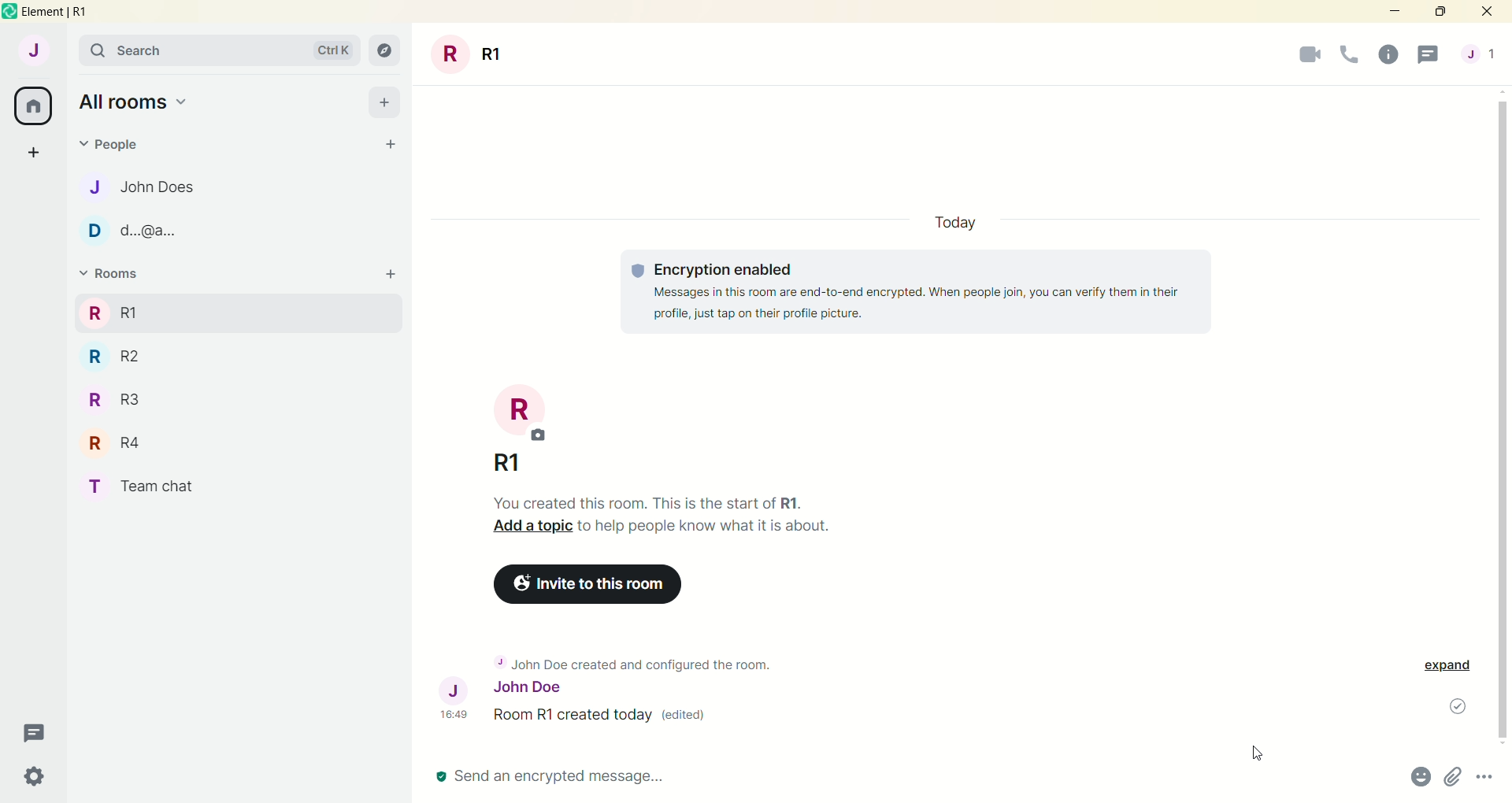 The image size is (1512, 803). Describe the element at coordinates (138, 354) in the screenshot. I see `R R2` at that location.